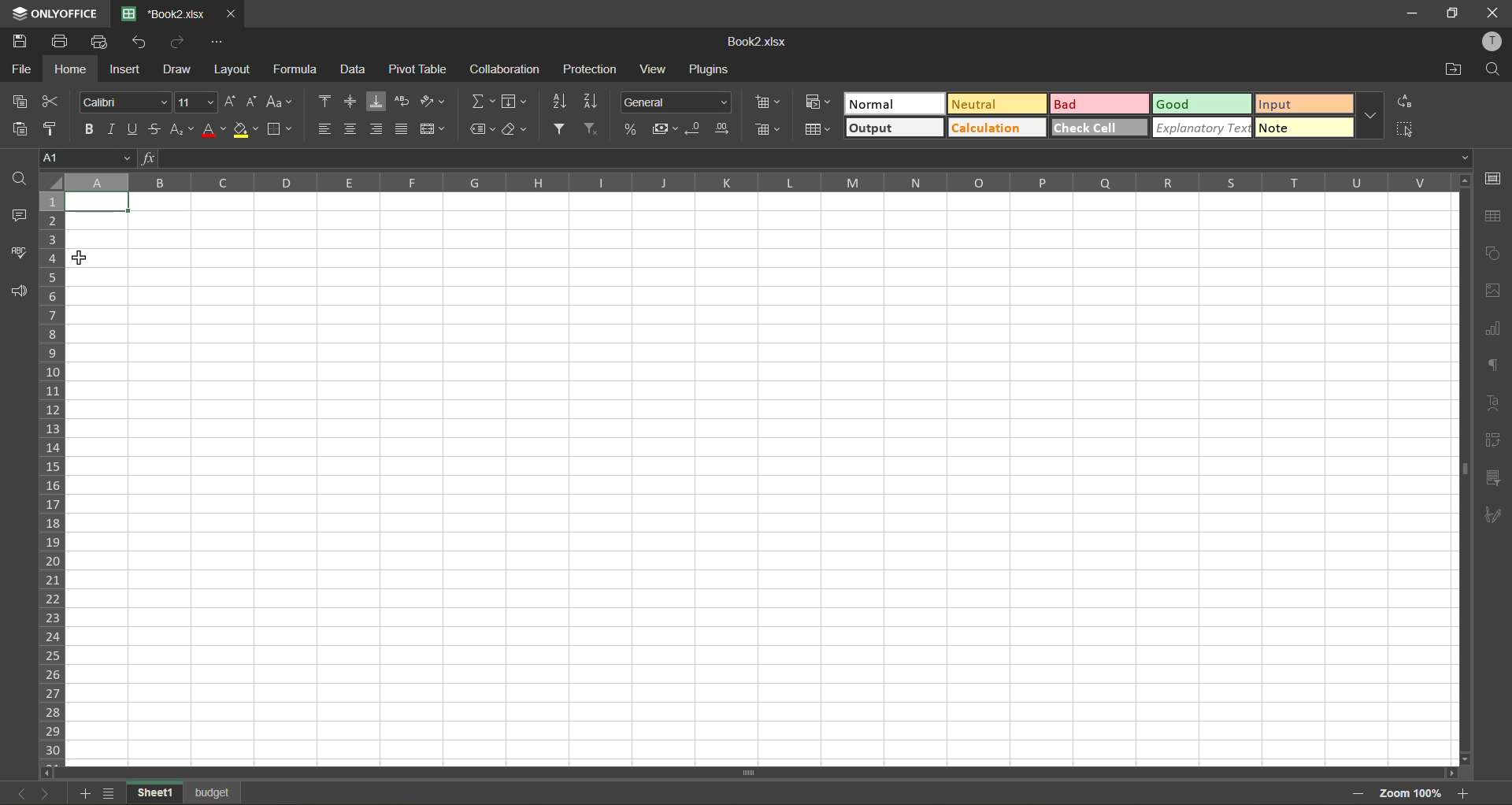  Describe the element at coordinates (1305, 103) in the screenshot. I see `input` at that location.